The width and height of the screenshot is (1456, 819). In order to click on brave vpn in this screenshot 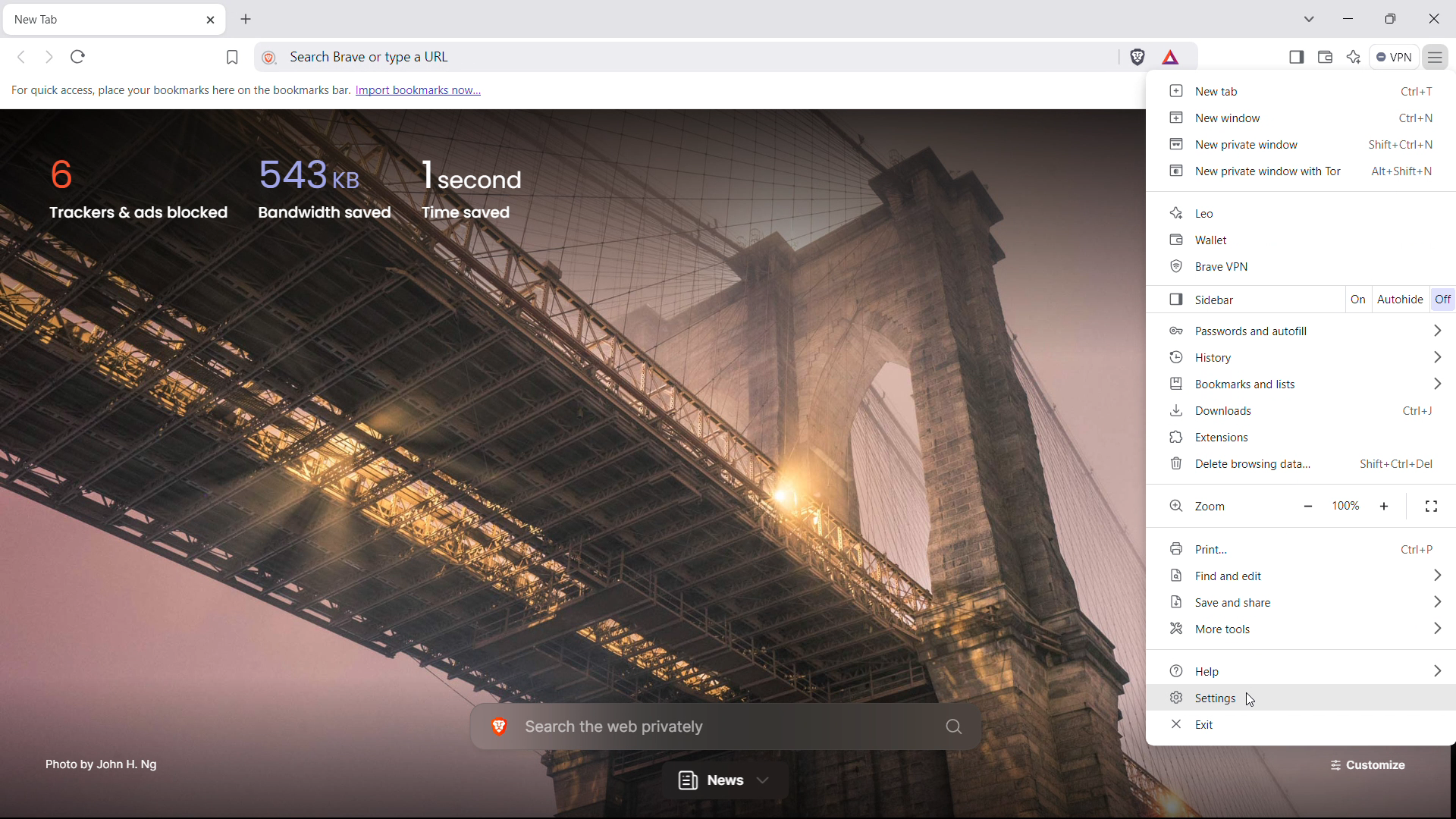, I will do `click(1301, 264)`.